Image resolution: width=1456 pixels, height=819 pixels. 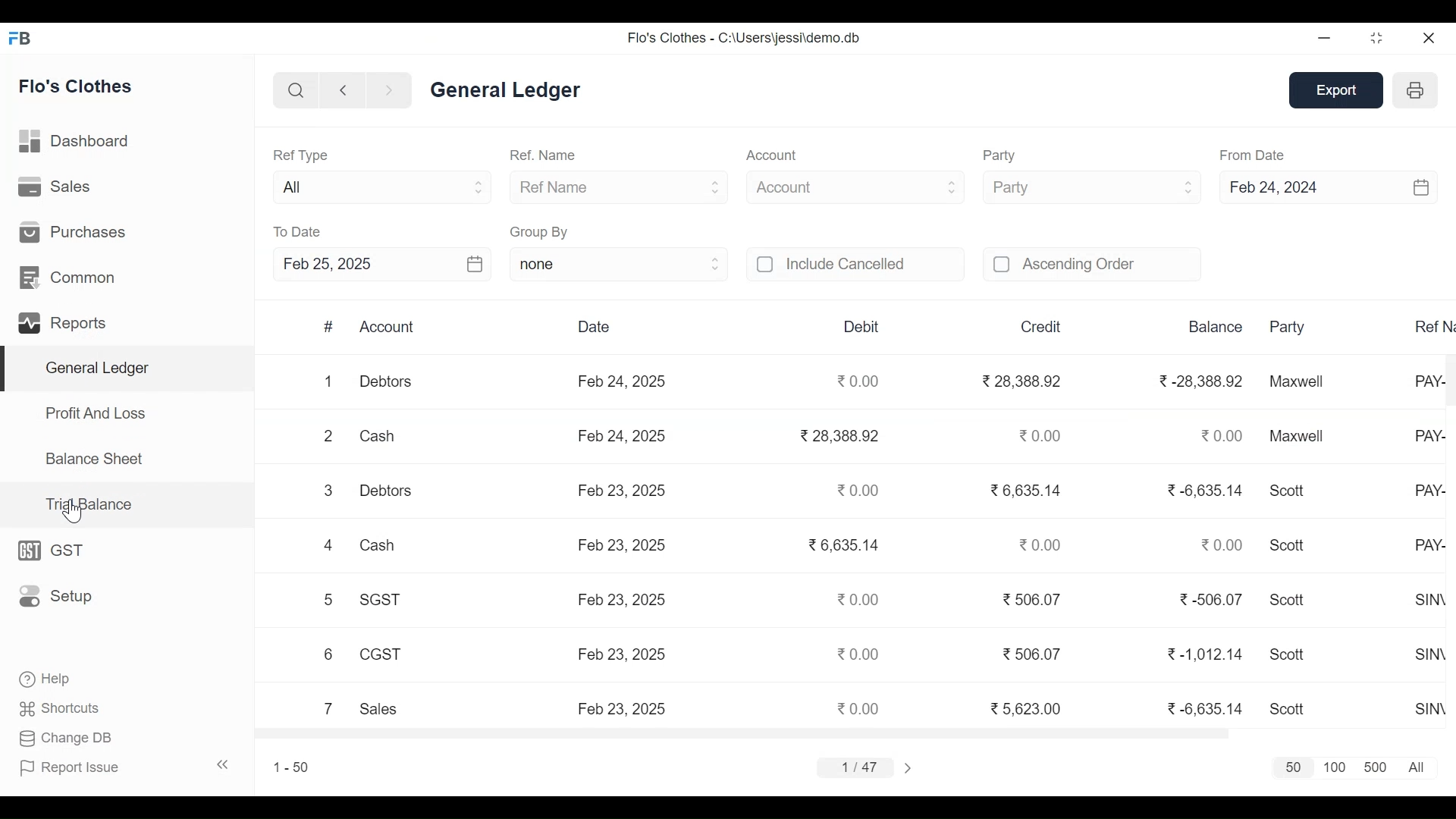 I want to click on Debit, so click(x=863, y=326).